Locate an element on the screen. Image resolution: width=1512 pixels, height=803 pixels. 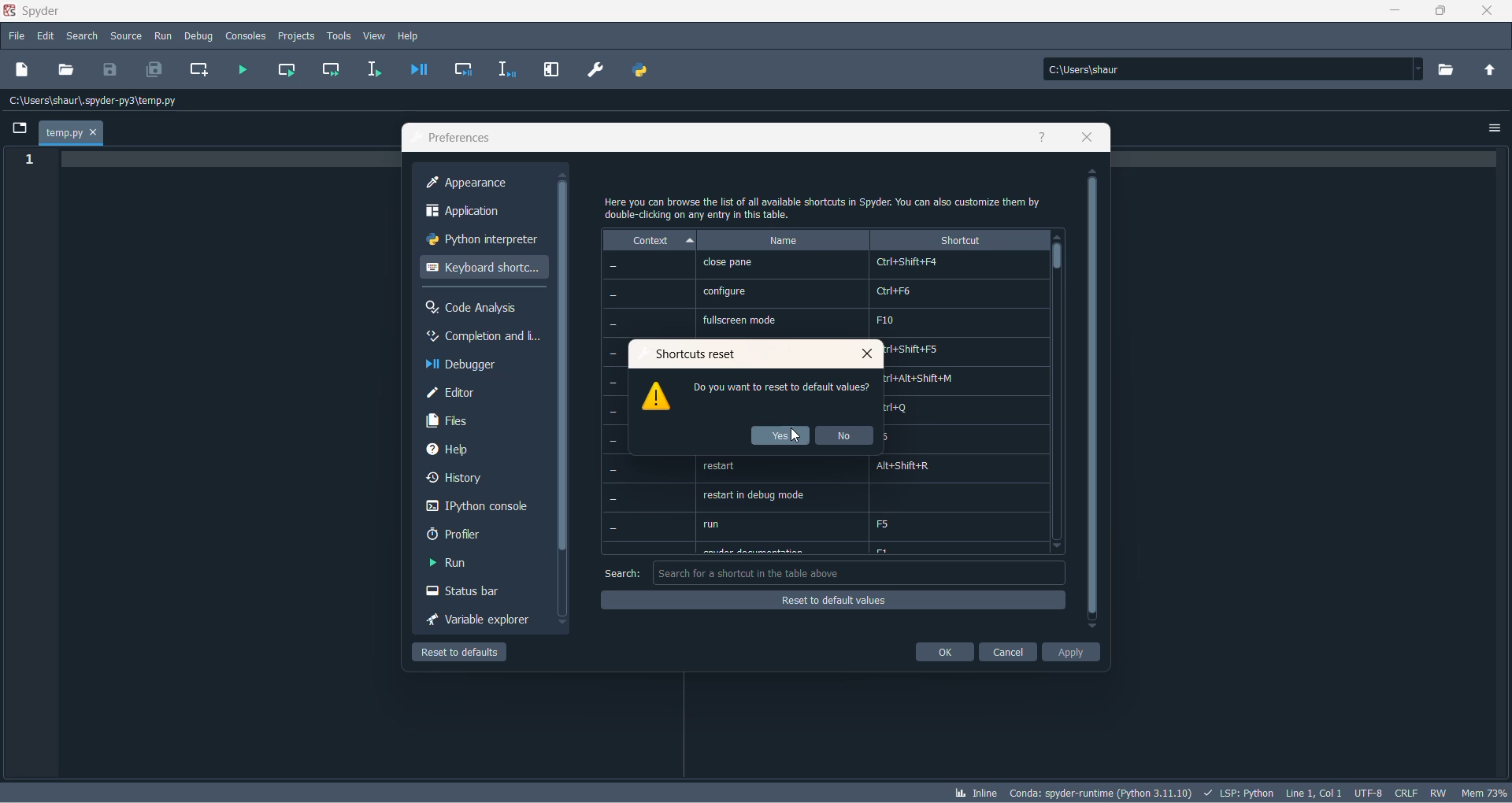
keyboard shortcut is located at coordinates (487, 268).